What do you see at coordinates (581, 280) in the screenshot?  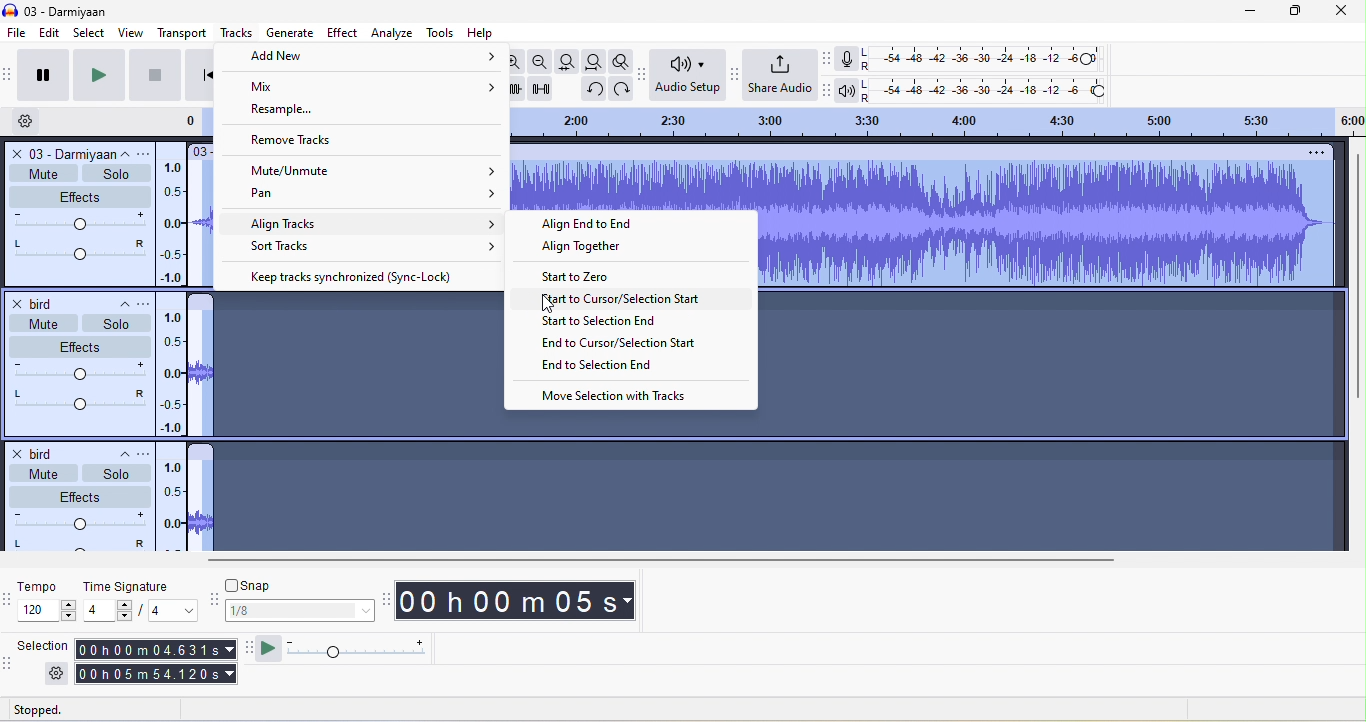 I see `start to zero` at bounding box center [581, 280].